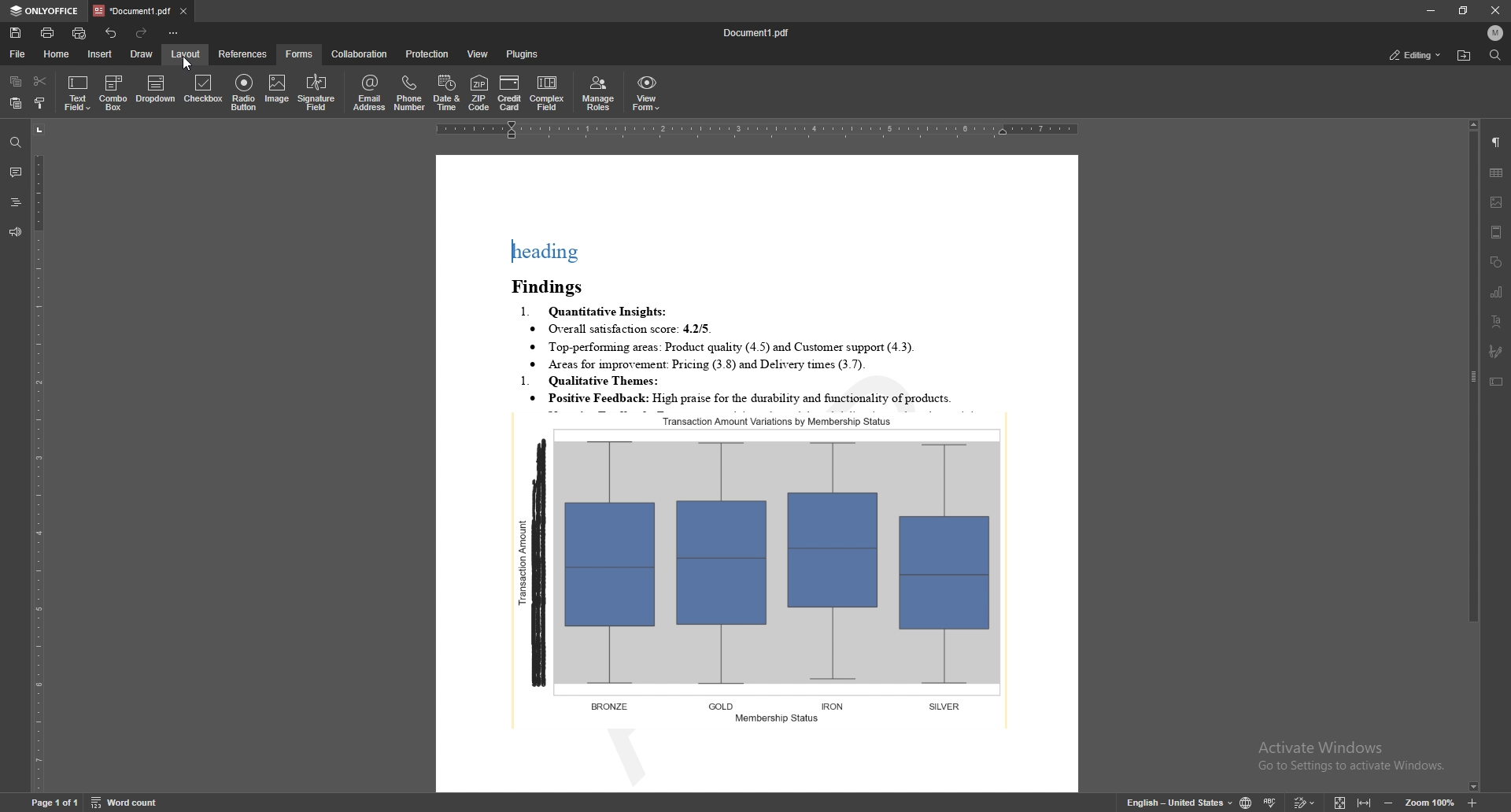  I want to click on copy style, so click(39, 103).